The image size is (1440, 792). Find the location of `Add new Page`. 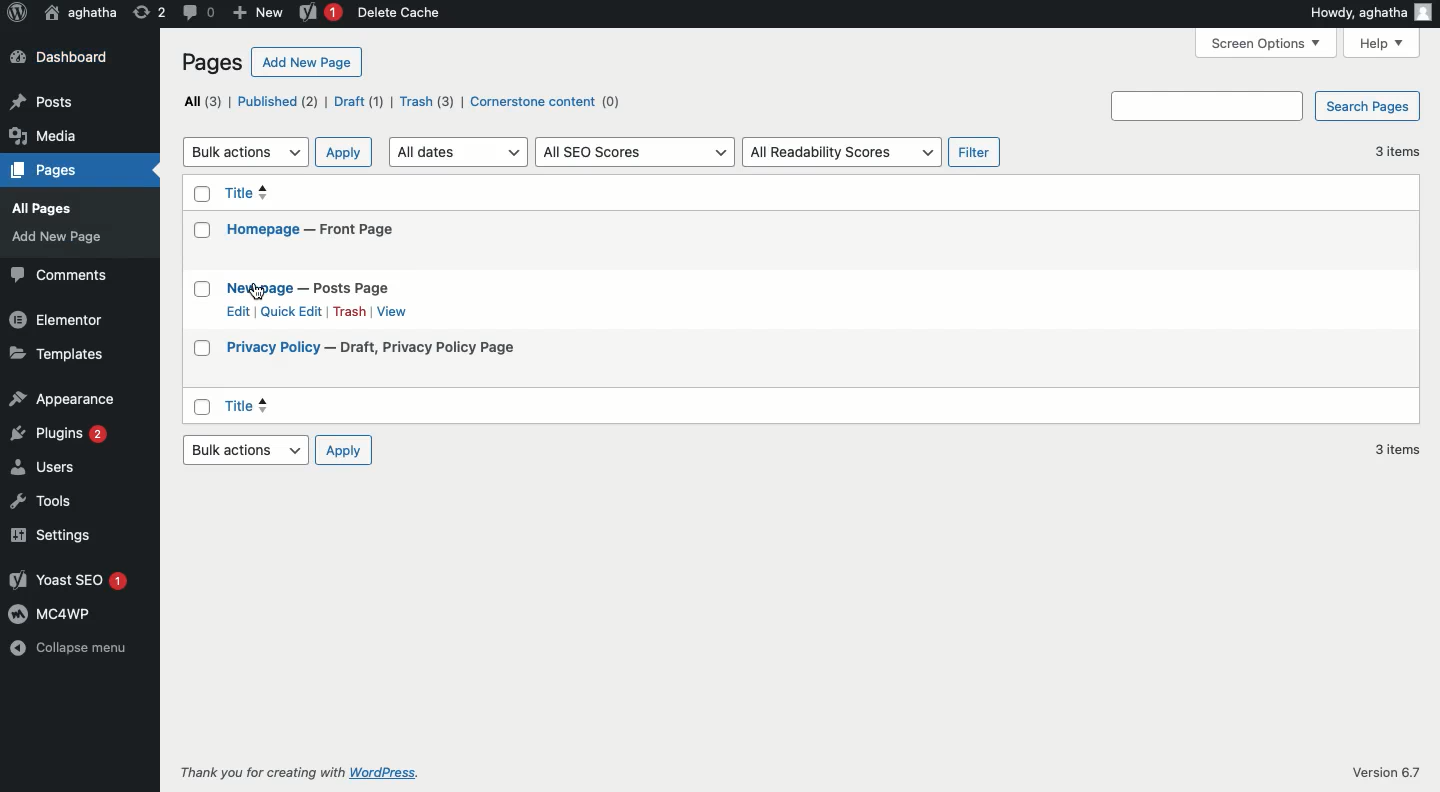

Add new Page is located at coordinates (58, 237).